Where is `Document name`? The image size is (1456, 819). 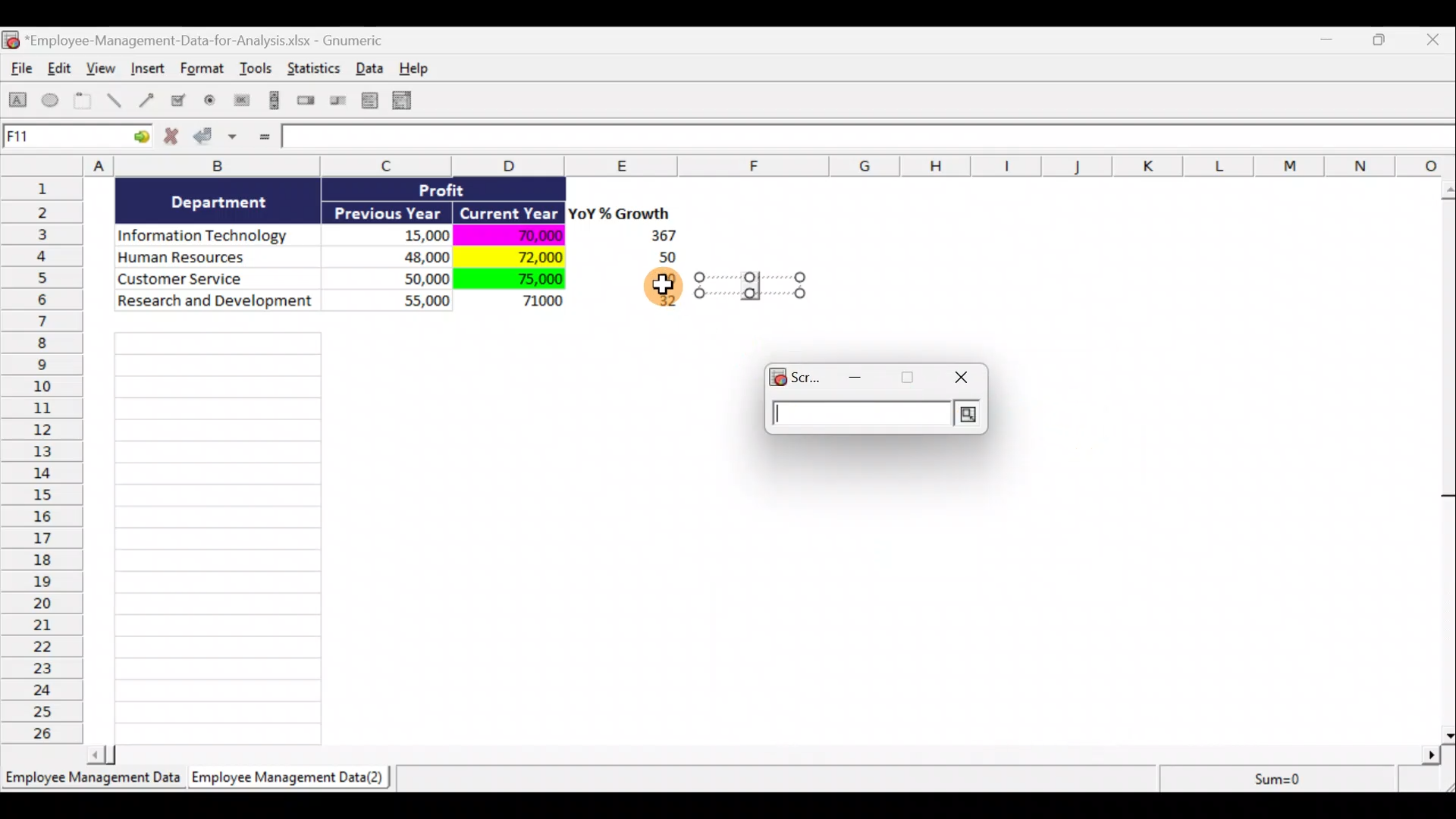
Document name is located at coordinates (201, 42).